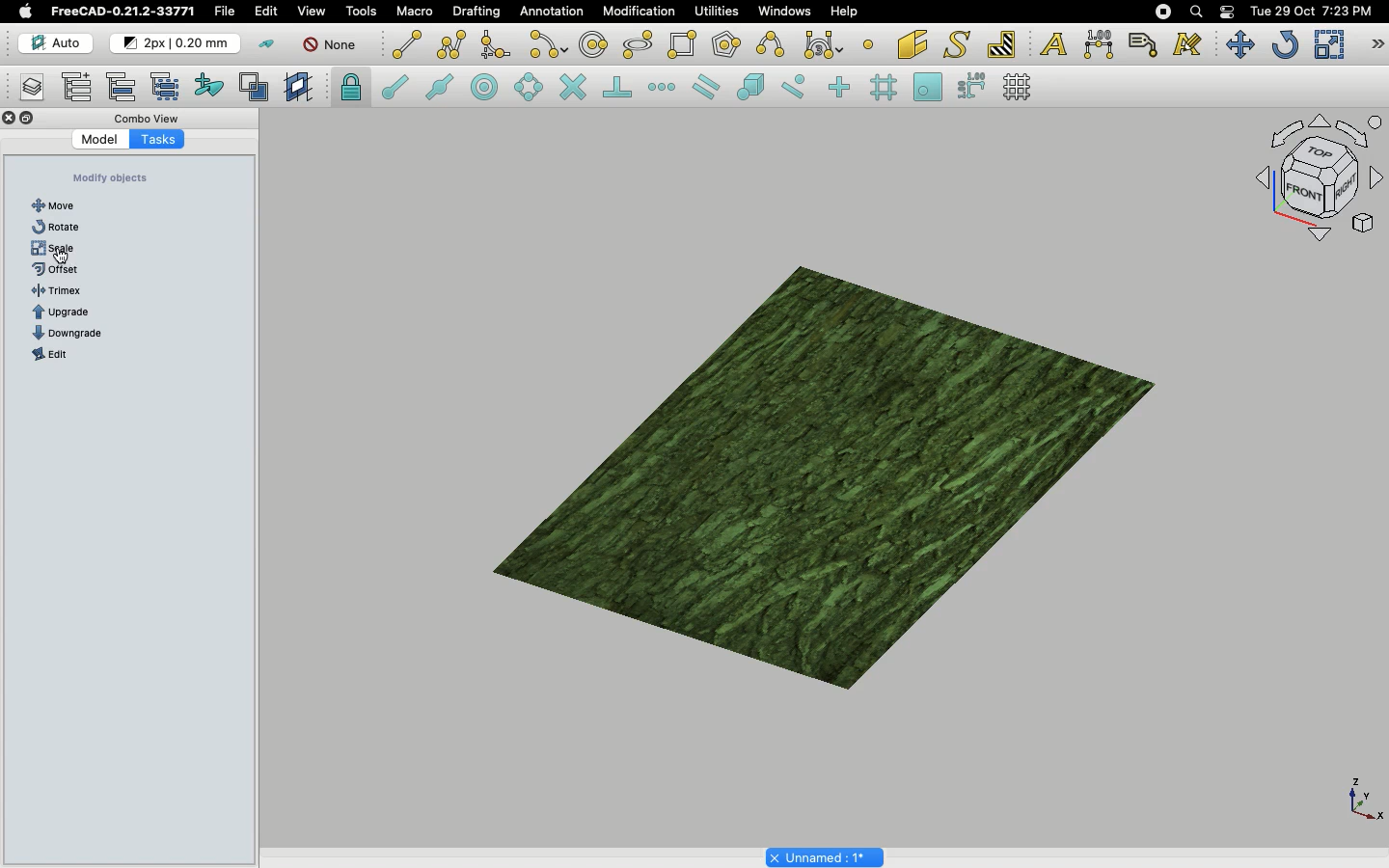 Image resolution: width=1389 pixels, height=868 pixels. Describe the element at coordinates (1053, 42) in the screenshot. I see `Text` at that location.